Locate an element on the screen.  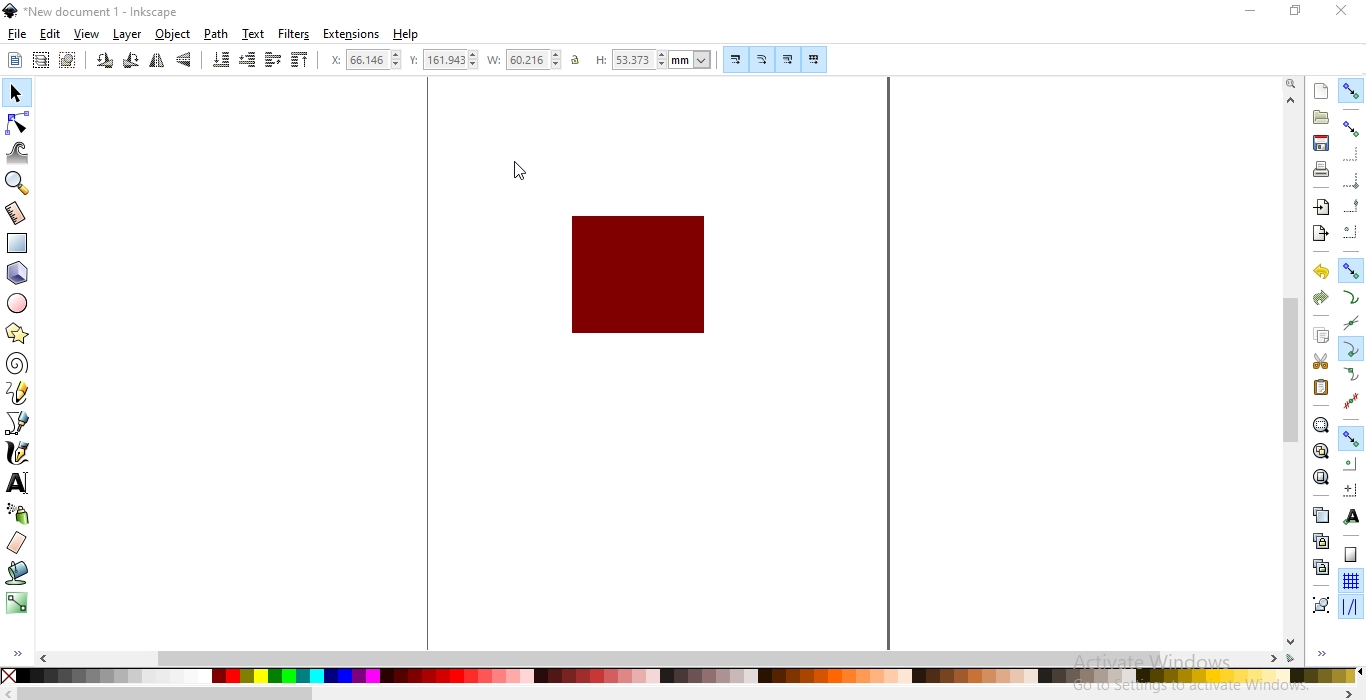
snap to page border is located at coordinates (1350, 555).